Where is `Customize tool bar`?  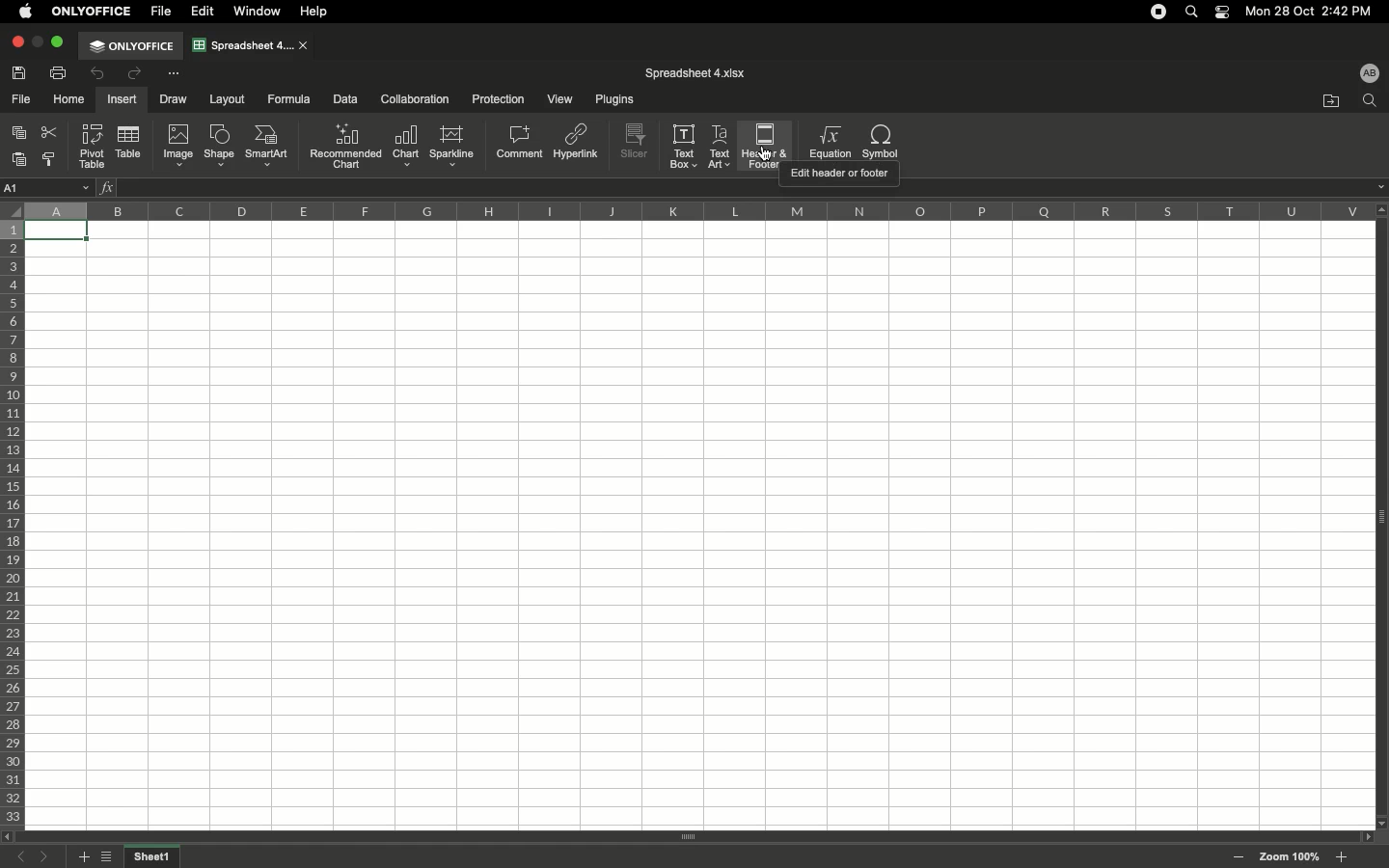
Customize tool bar is located at coordinates (173, 72).